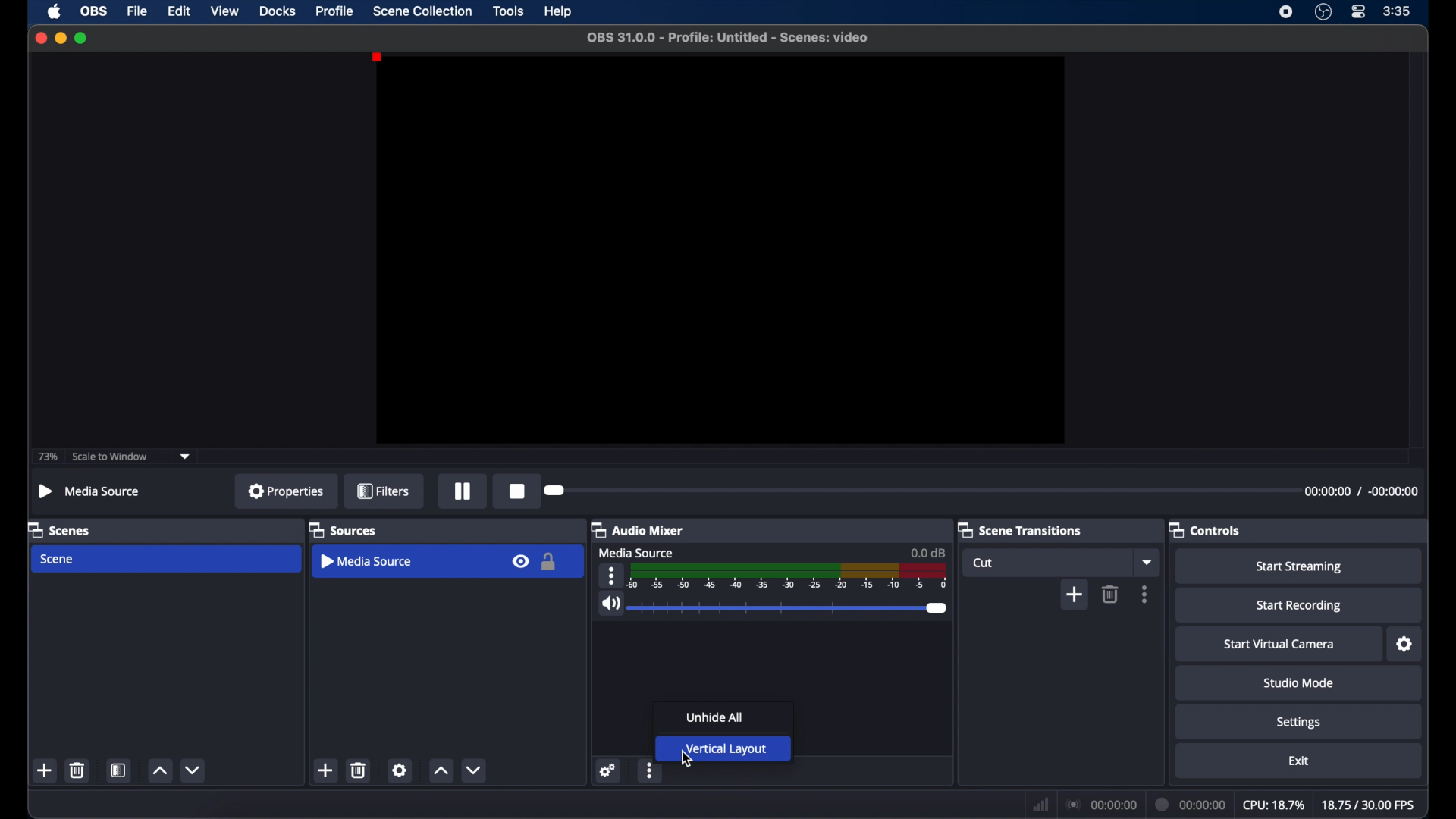 The width and height of the screenshot is (1456, 819). Describe the element at coordinates (138, 11) in the screenshot. I see `file` at that location.